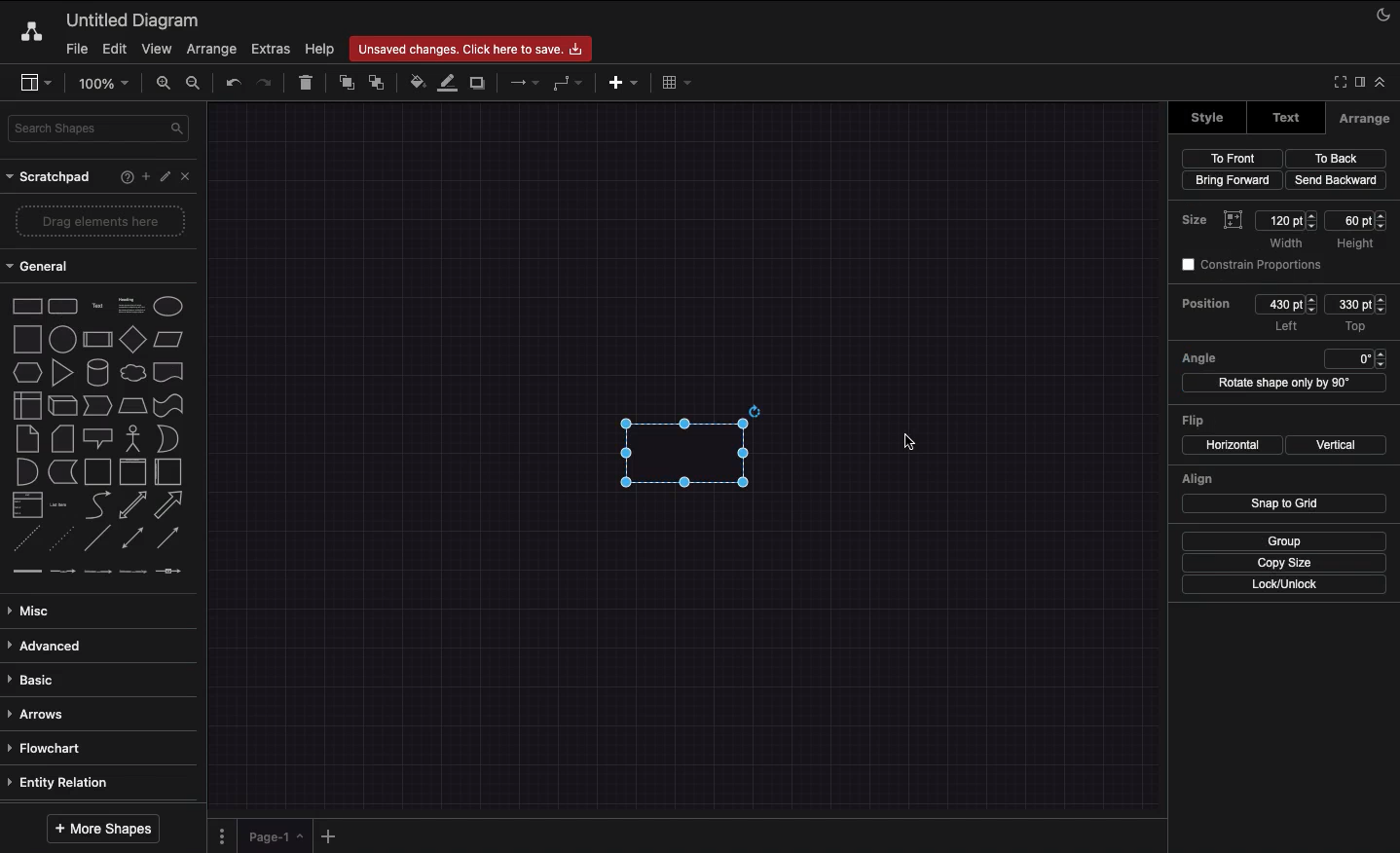 The image size is (1400, 853). Describe the element at coordinates (1289, 119) in the screenshot. I see `Text` at that location.